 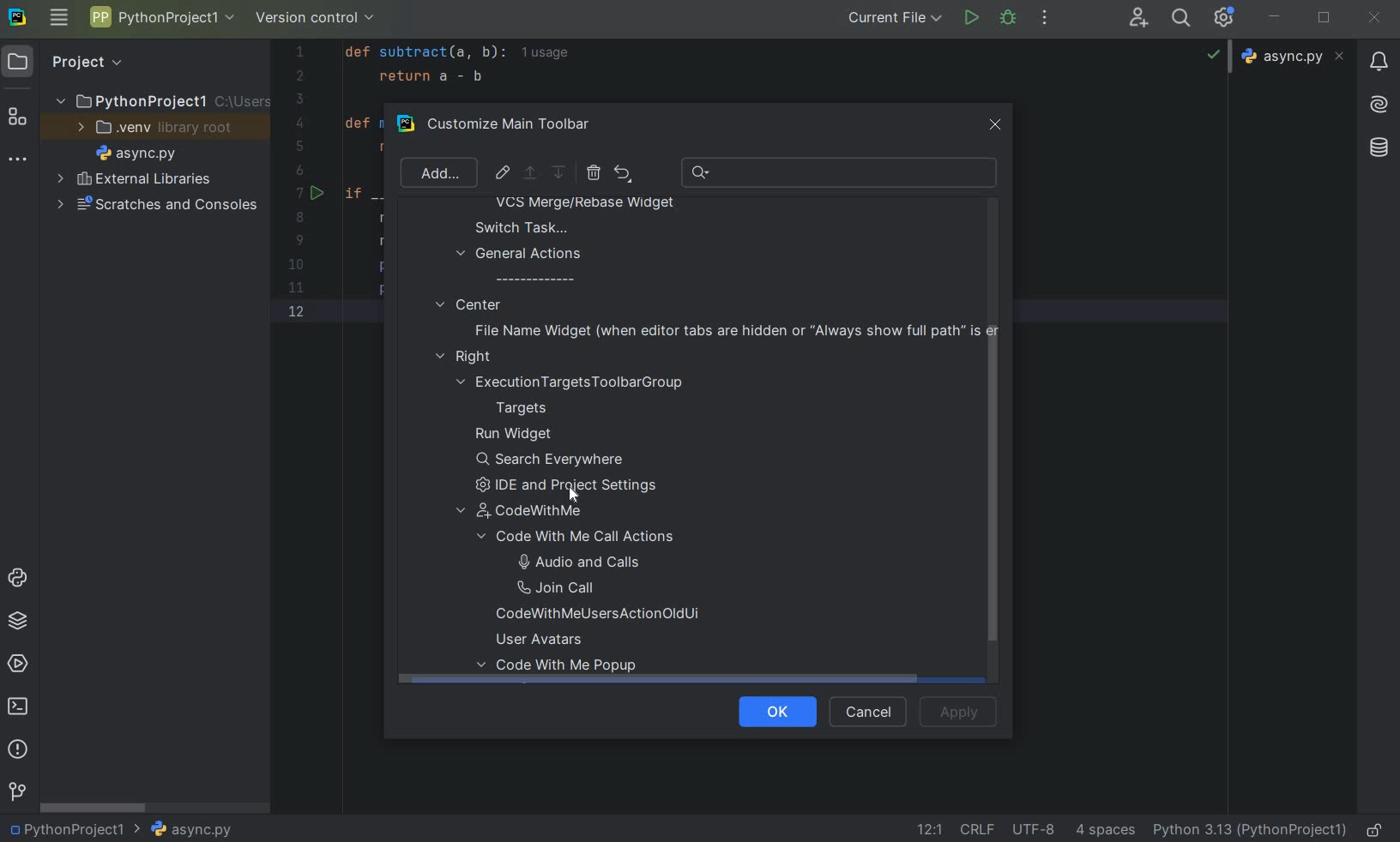 What do you see at coordinates (564, 670) in the screenshot?
I see `code with me popup` at bounding box center [564, 670].